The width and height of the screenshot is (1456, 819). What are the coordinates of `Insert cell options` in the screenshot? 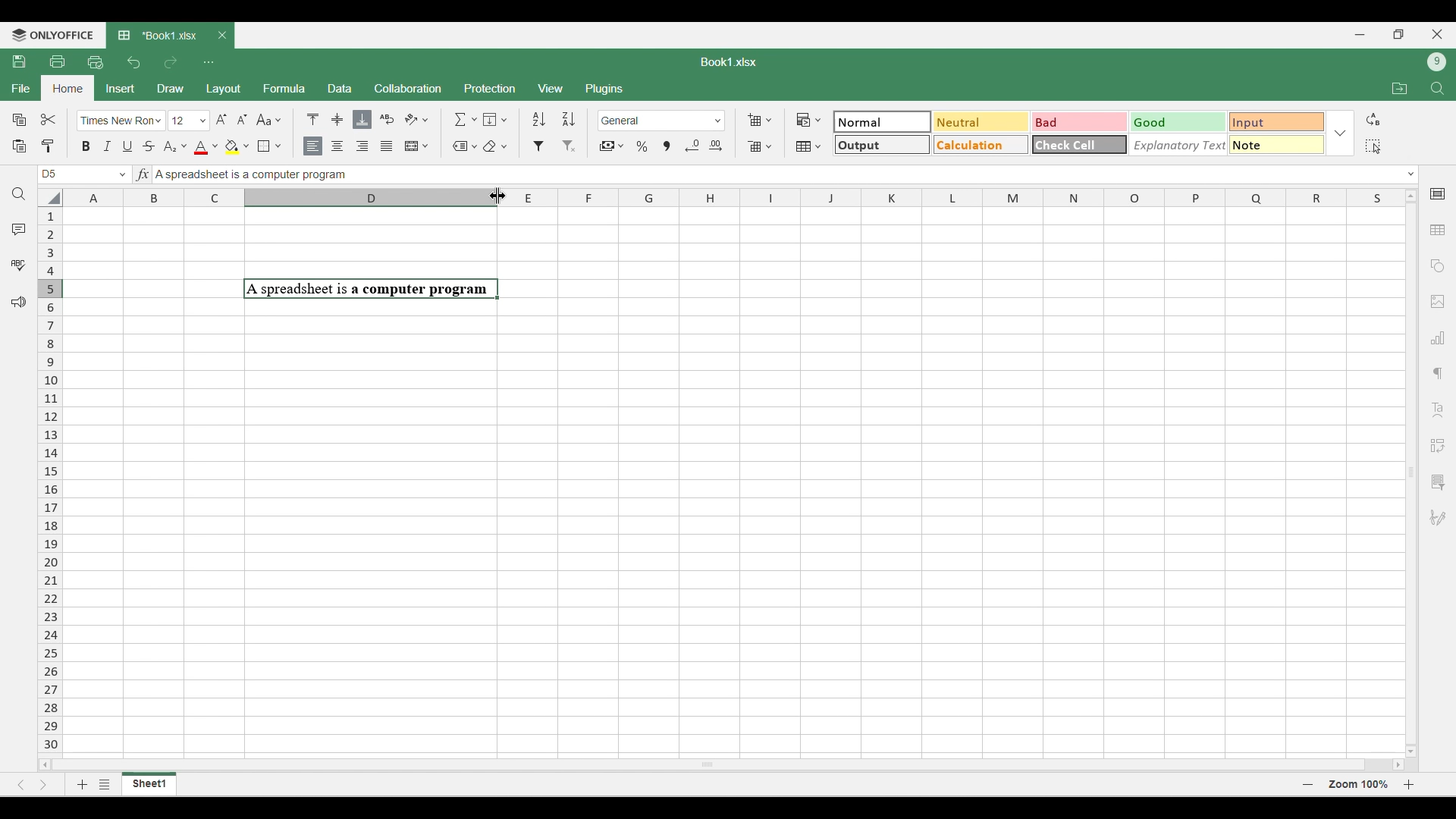 It's located at (759, 120).